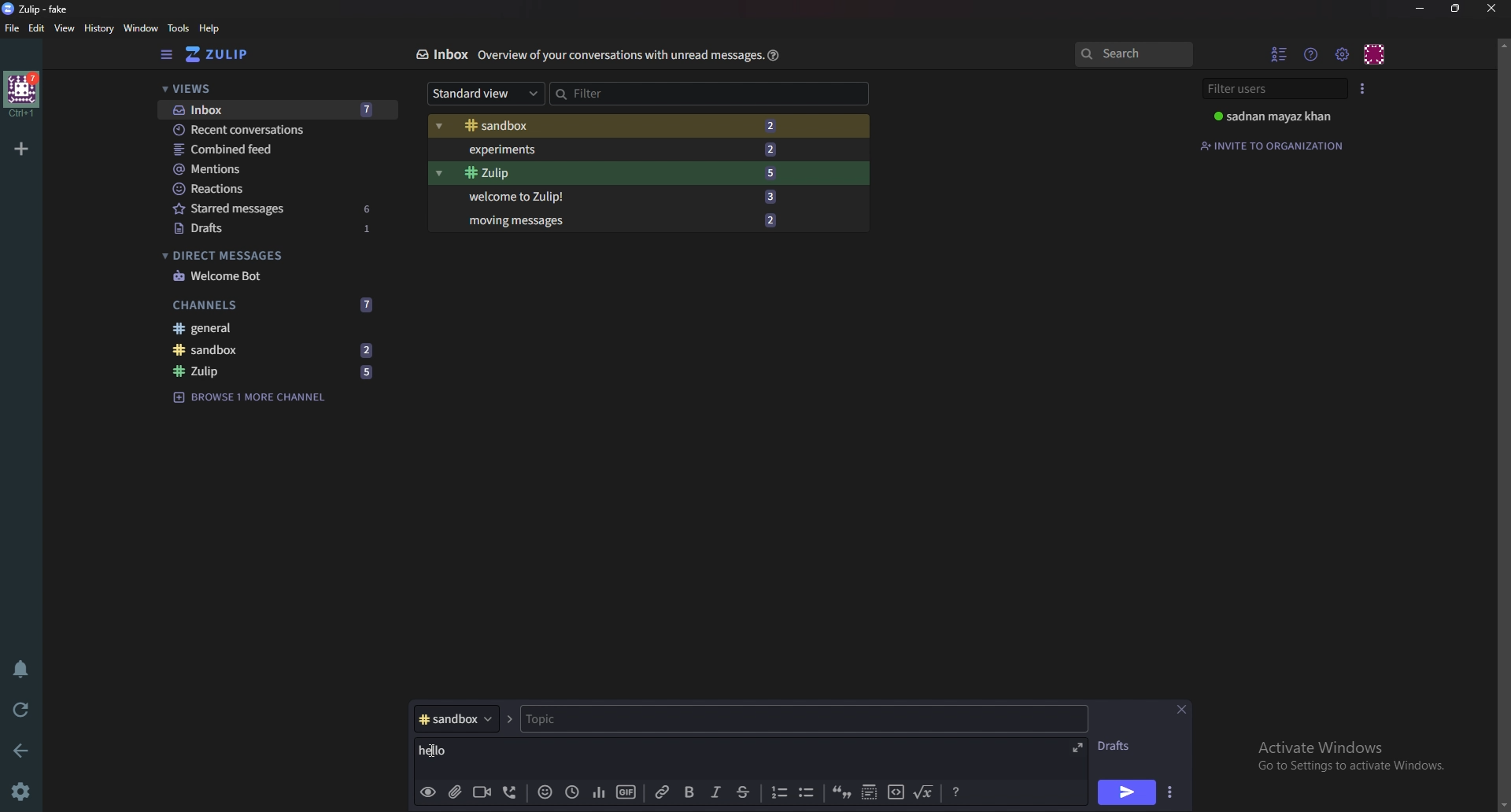 The width and height of the screenshot is (1511, 812). I want to click on link, so click(663, 793).